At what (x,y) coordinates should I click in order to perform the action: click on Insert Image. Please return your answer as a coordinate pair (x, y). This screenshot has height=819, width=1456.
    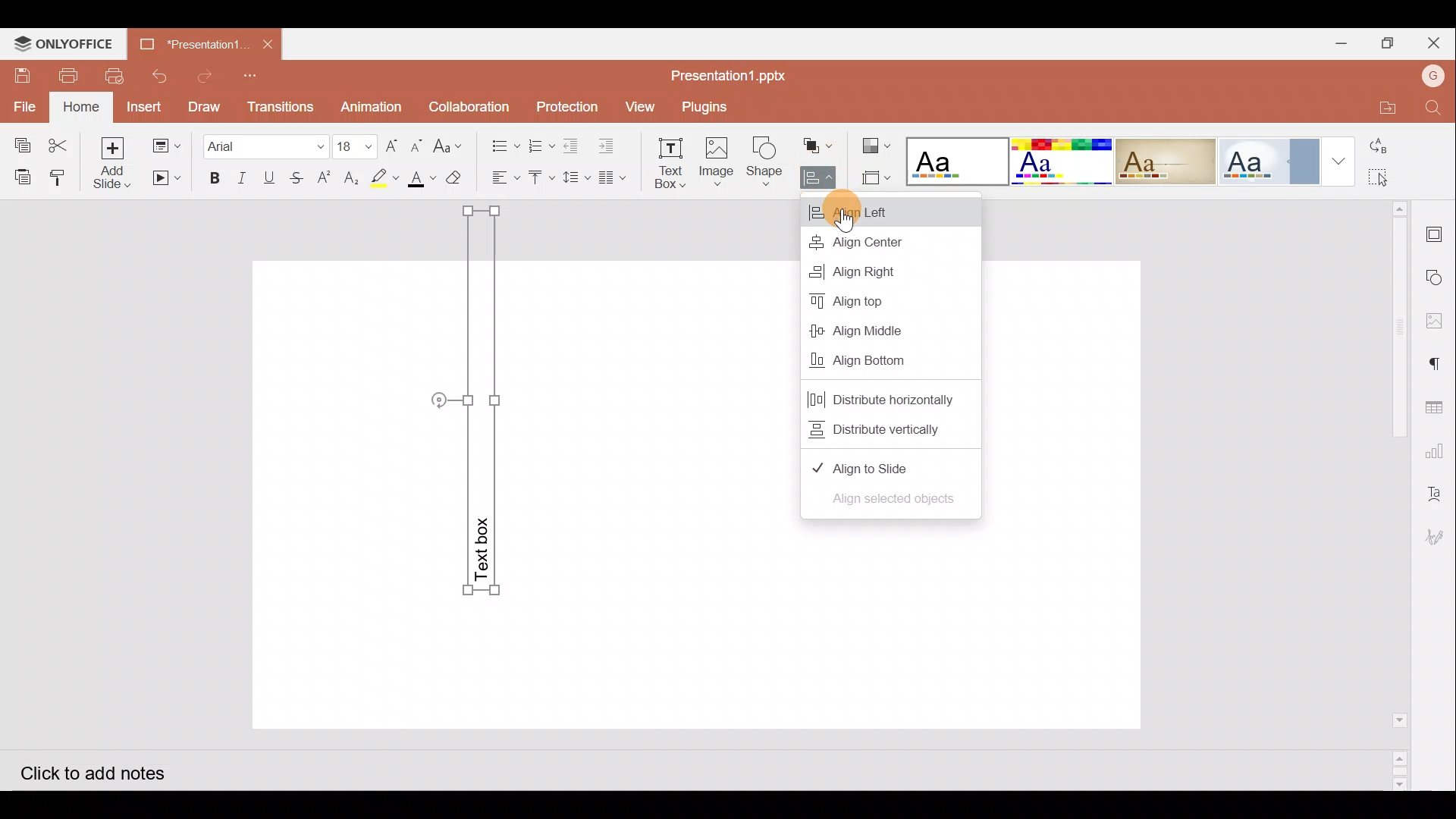
    Looking at the image, I should click on (715, 162).